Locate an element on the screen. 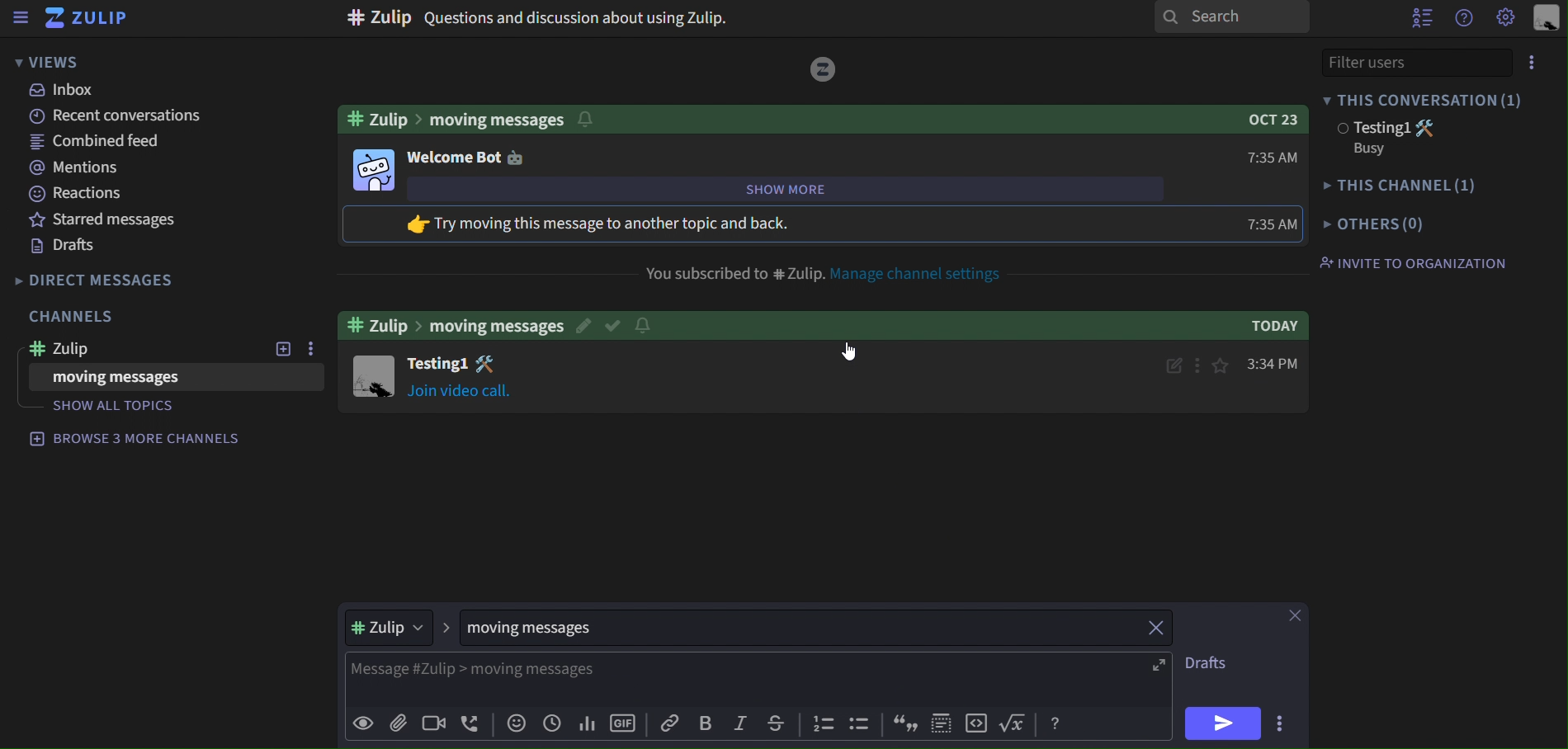 The image size is (1568, 749). function is located at coordinates (1014, 724).